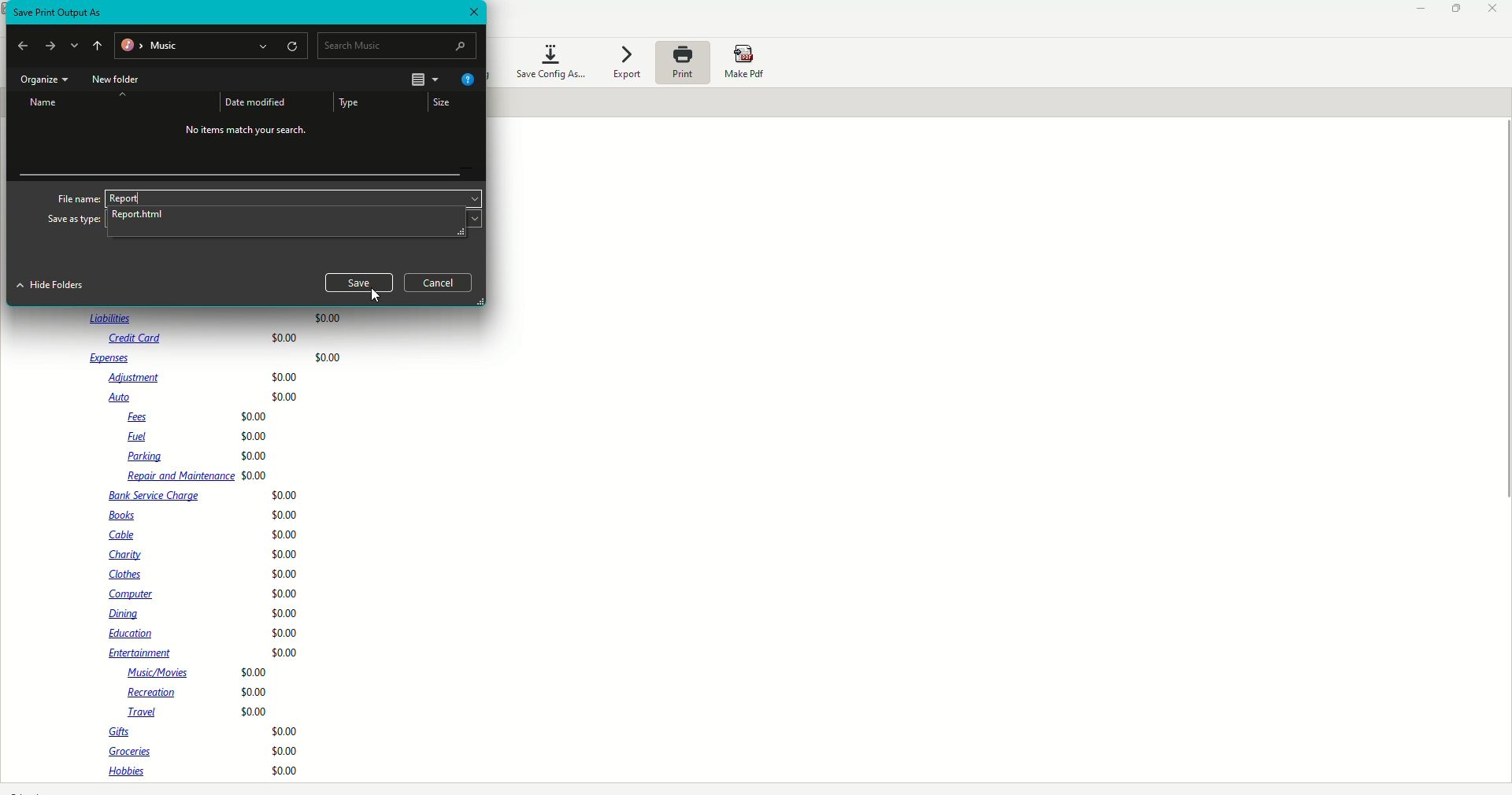 This screenshot has height=795, width=1512. Describe the element at coordinates (360, 282) in the screenshot. I see `Save` at that location.